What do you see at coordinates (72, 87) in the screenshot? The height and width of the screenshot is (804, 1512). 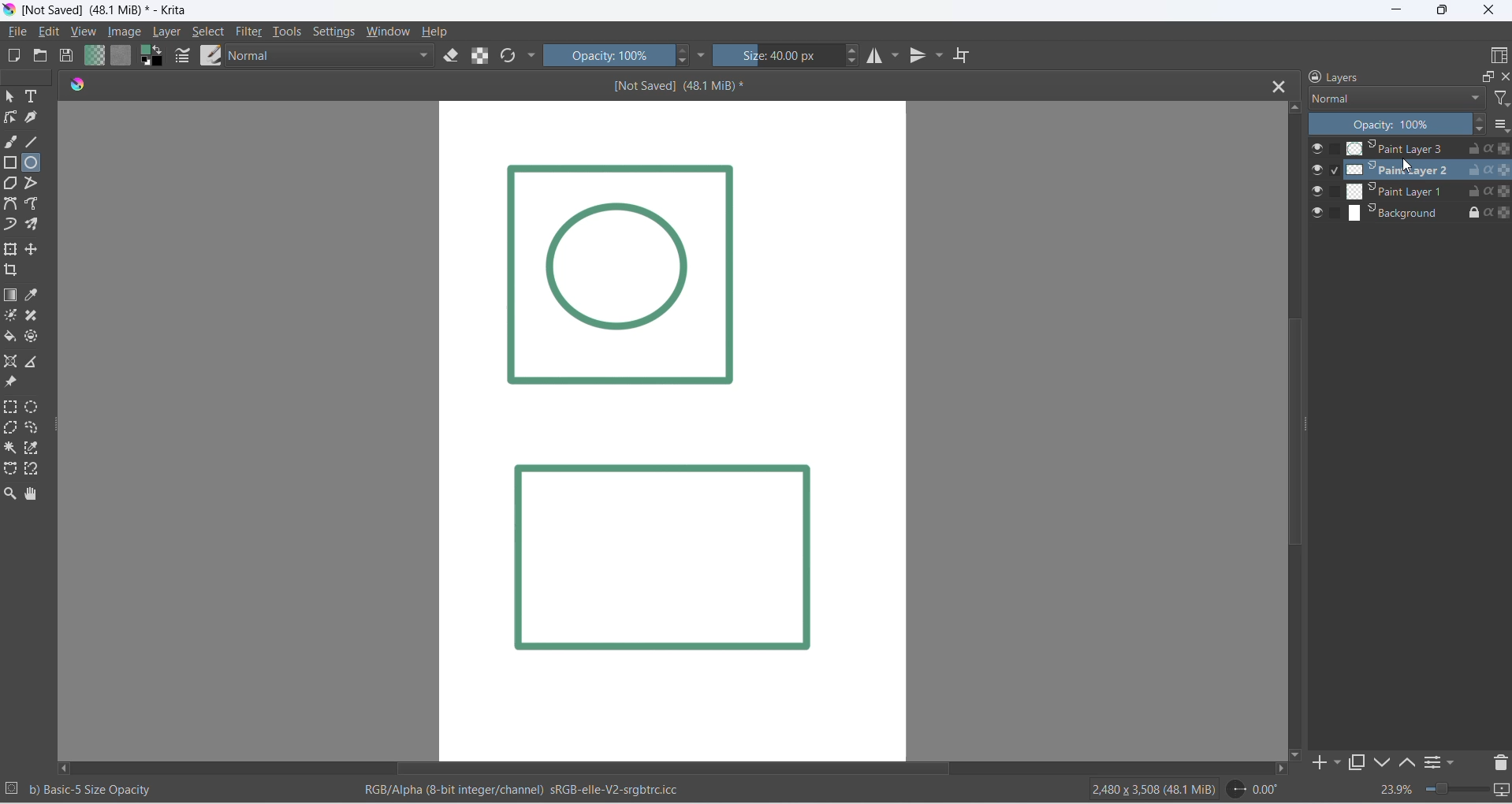 I see `icon` at bounding box center [72, 87].